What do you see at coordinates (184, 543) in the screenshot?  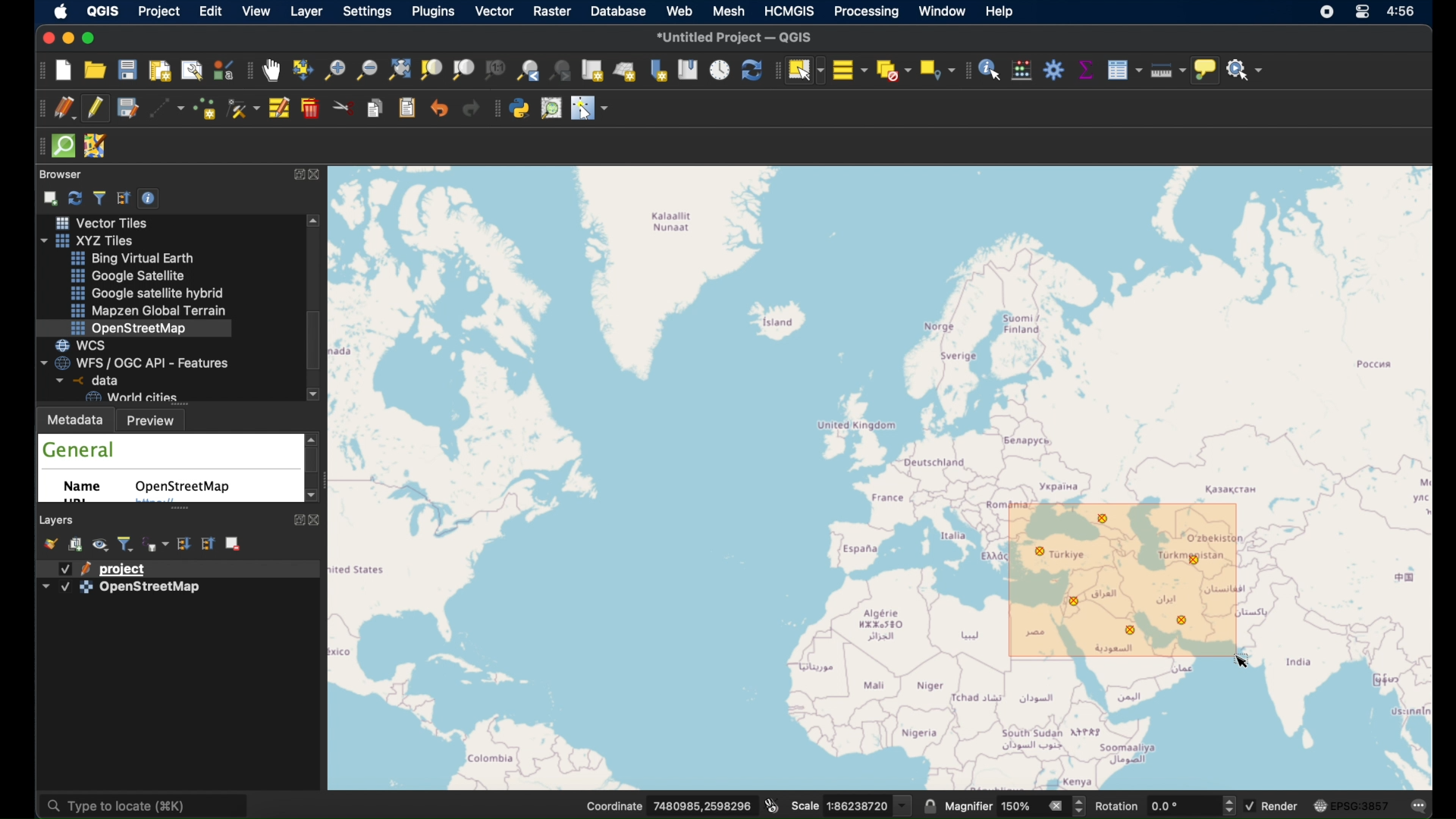 I see `expand all` at bounding box center [184, 543].